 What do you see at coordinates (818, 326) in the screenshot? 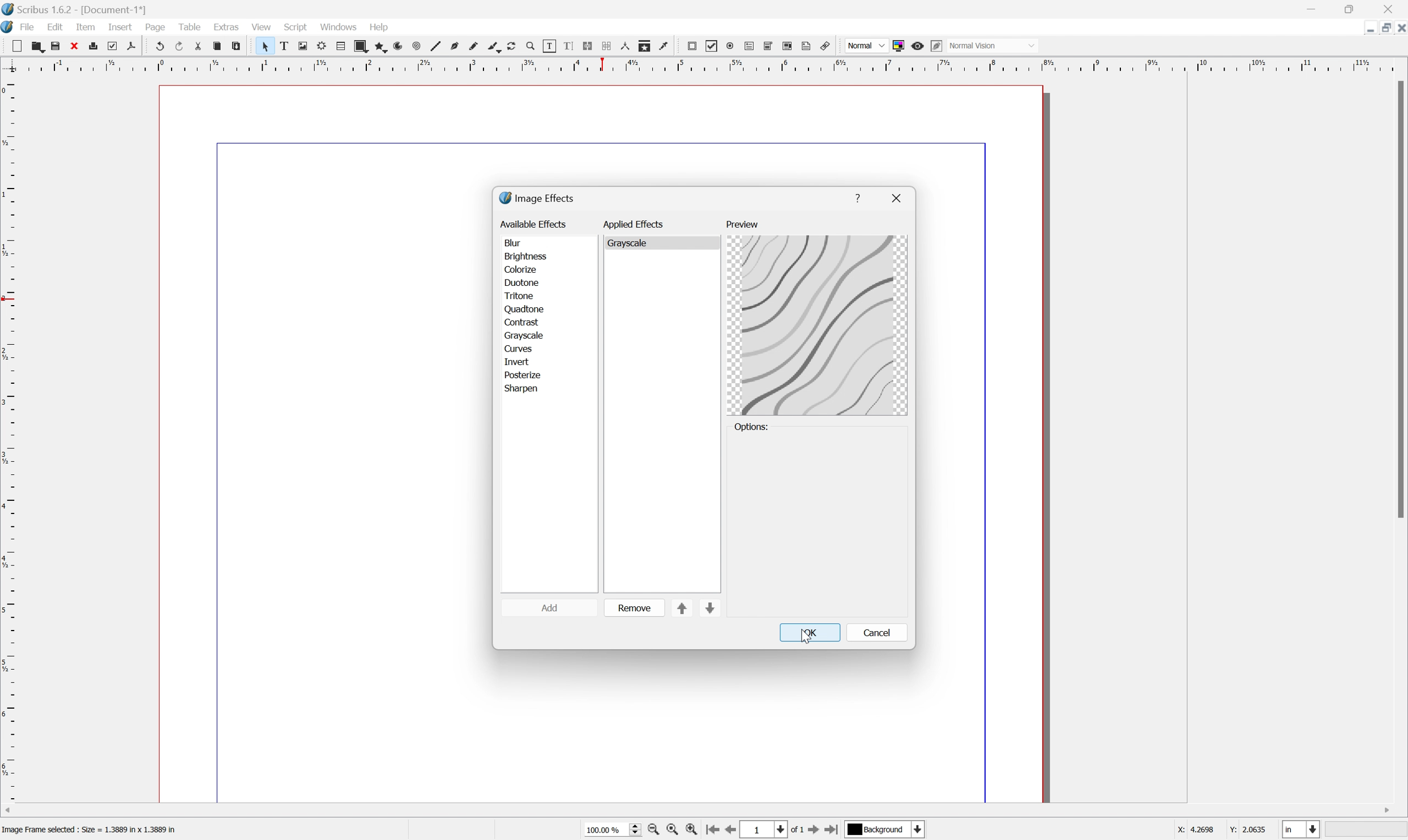
I see `preview` at bounding box center [818, 326].